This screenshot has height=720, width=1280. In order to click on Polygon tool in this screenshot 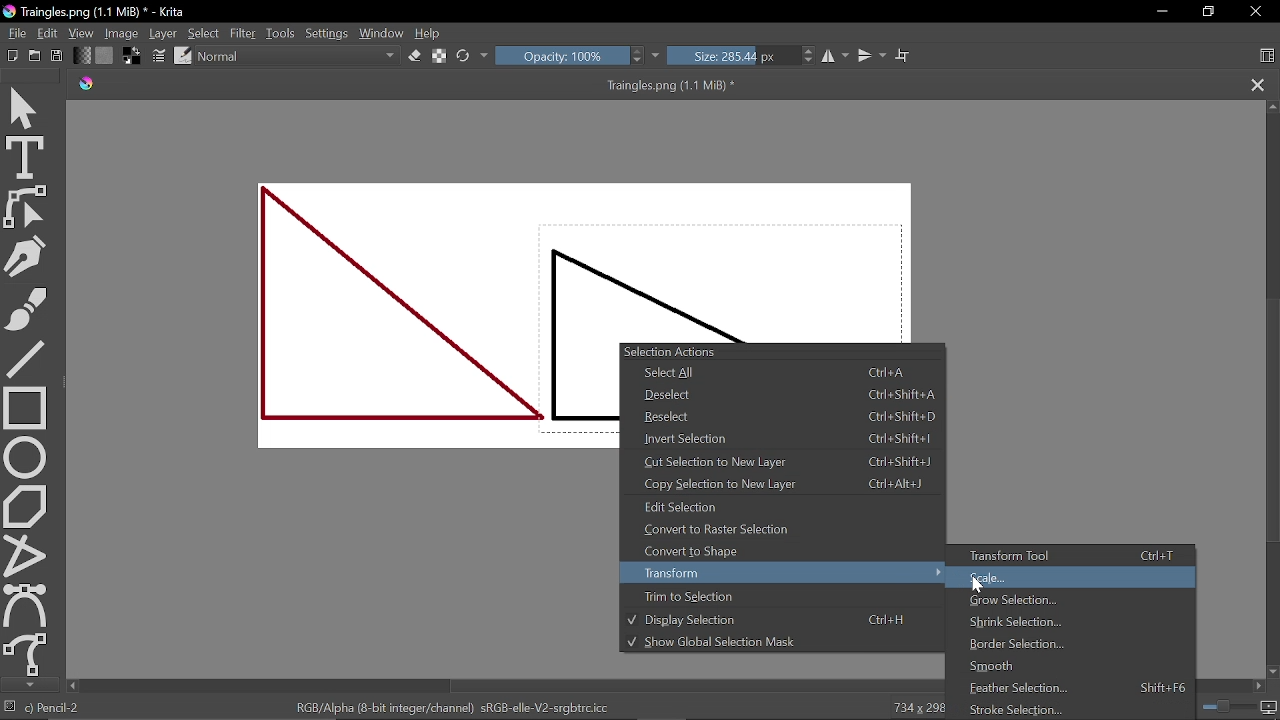, I will do `click(26, 506)`.